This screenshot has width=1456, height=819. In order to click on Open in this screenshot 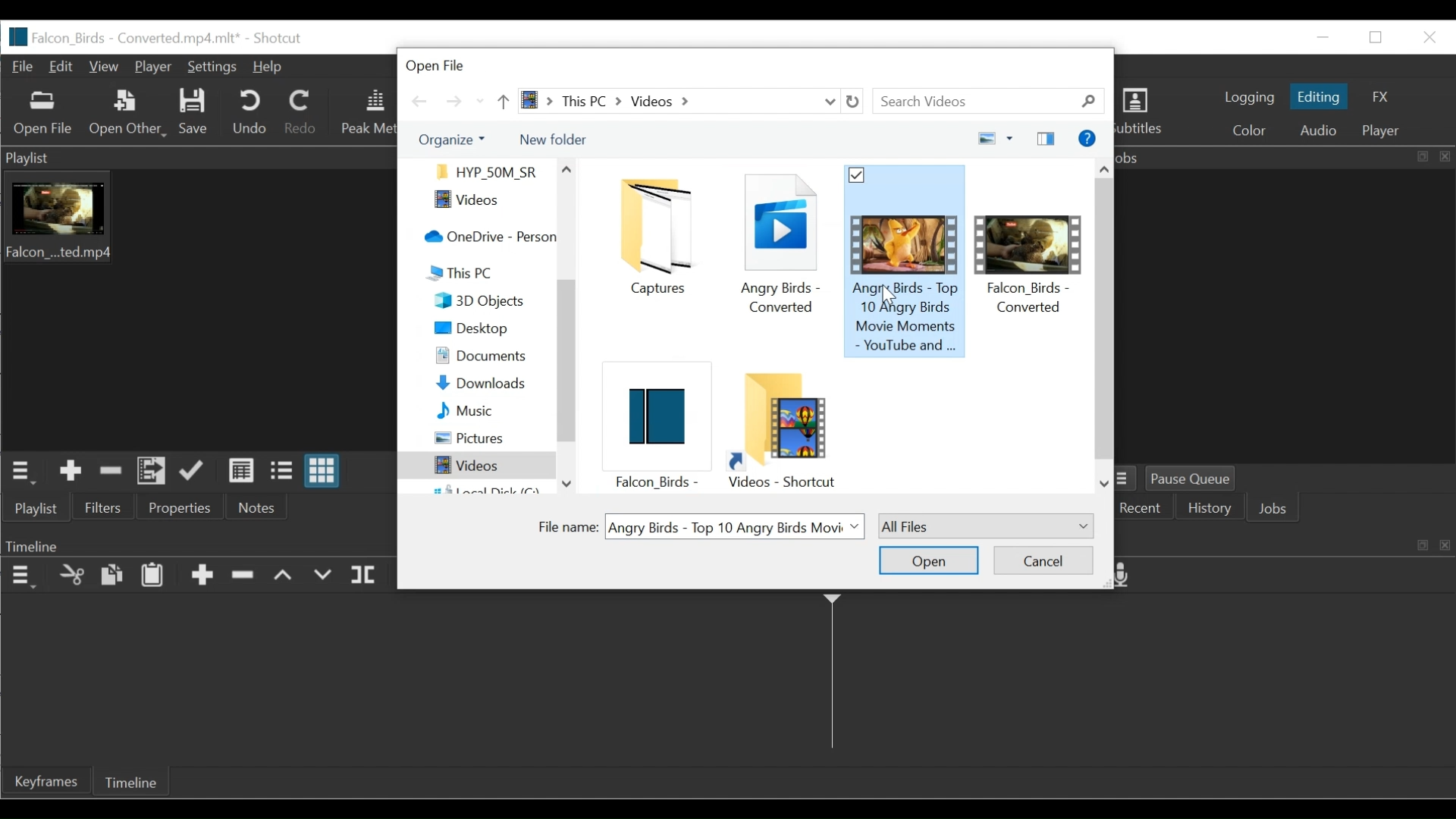, I will do `click(927, 561)`.